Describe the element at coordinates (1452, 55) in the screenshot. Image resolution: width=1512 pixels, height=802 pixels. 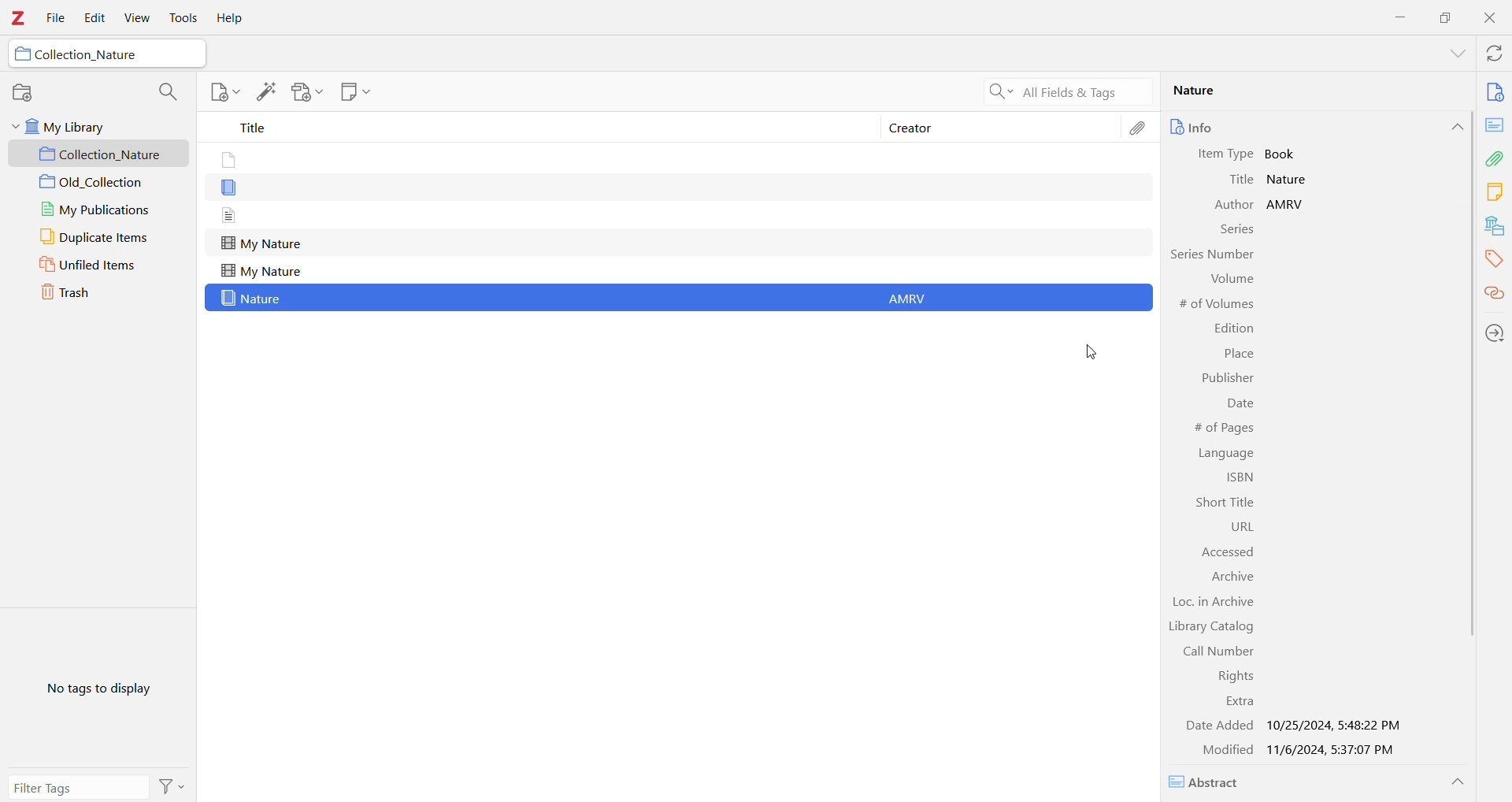
I see `List All Tabs` at that location.